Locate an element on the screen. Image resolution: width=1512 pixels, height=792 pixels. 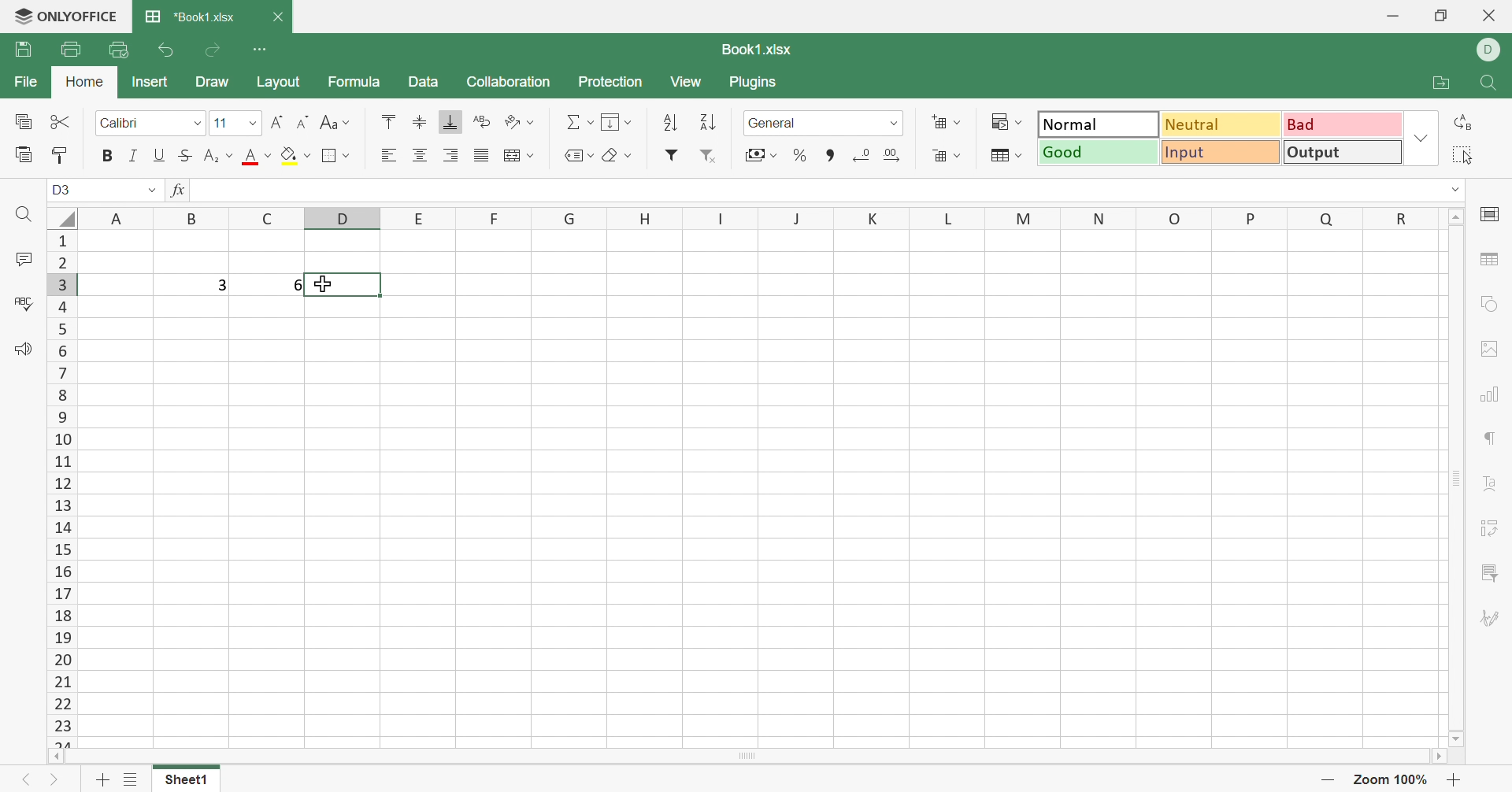
Image settings is located at coordinates (1492, 350).